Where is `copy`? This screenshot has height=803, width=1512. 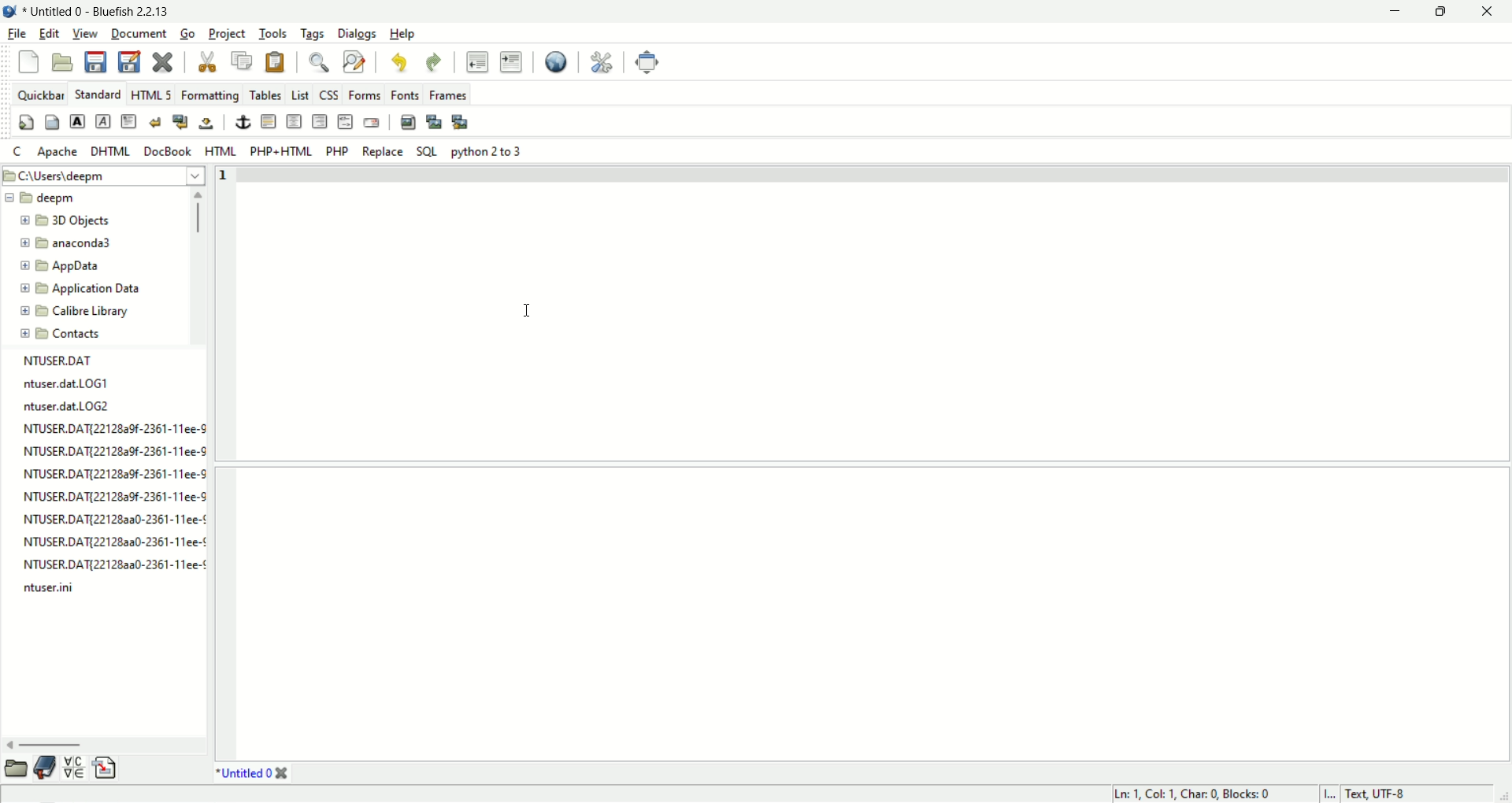 copy is located at coordinates (245, 60).